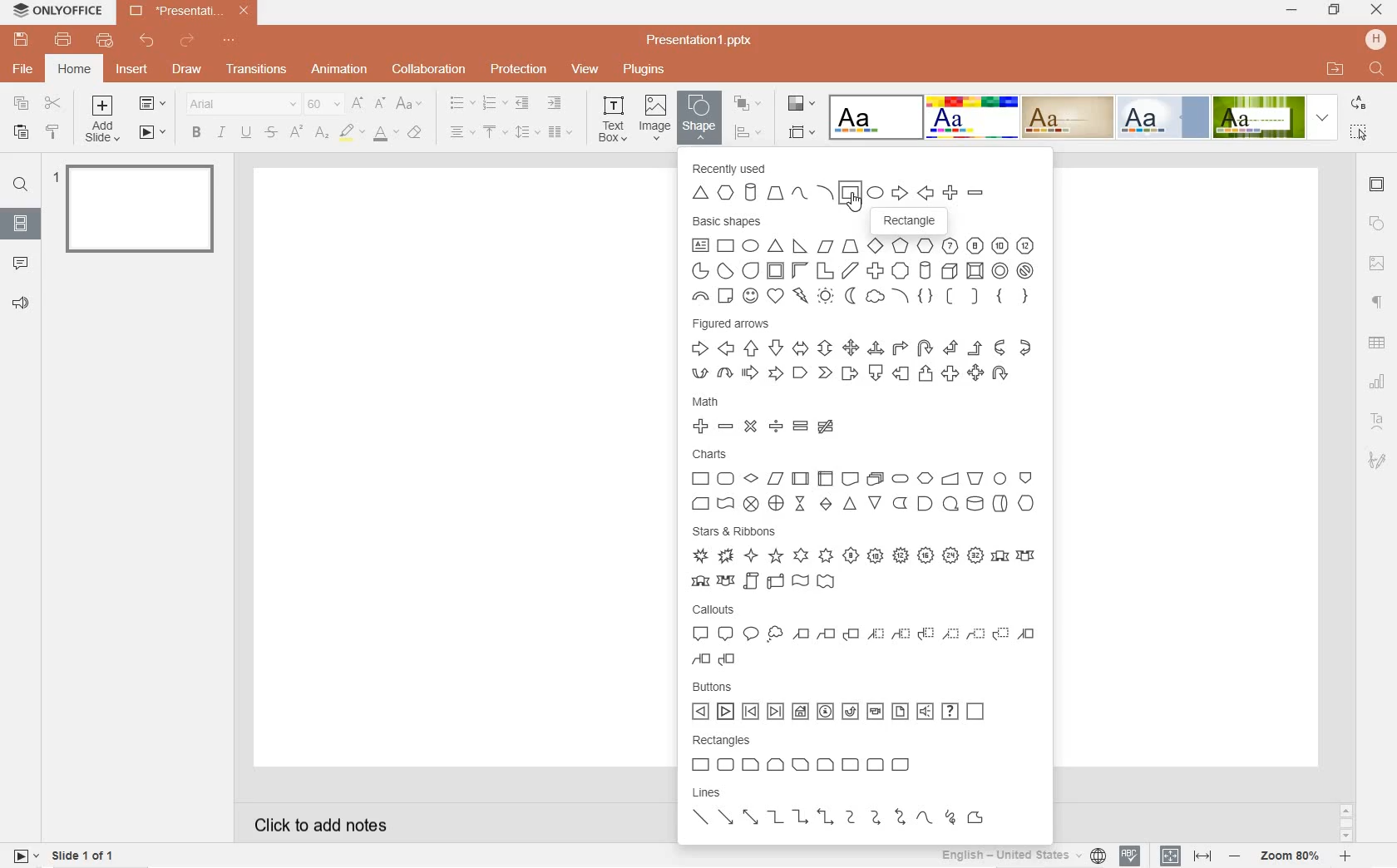  What do you see at coordinates (799, 106) in the screenshot?
I see `change color theme` at bounding box center [799, 106].